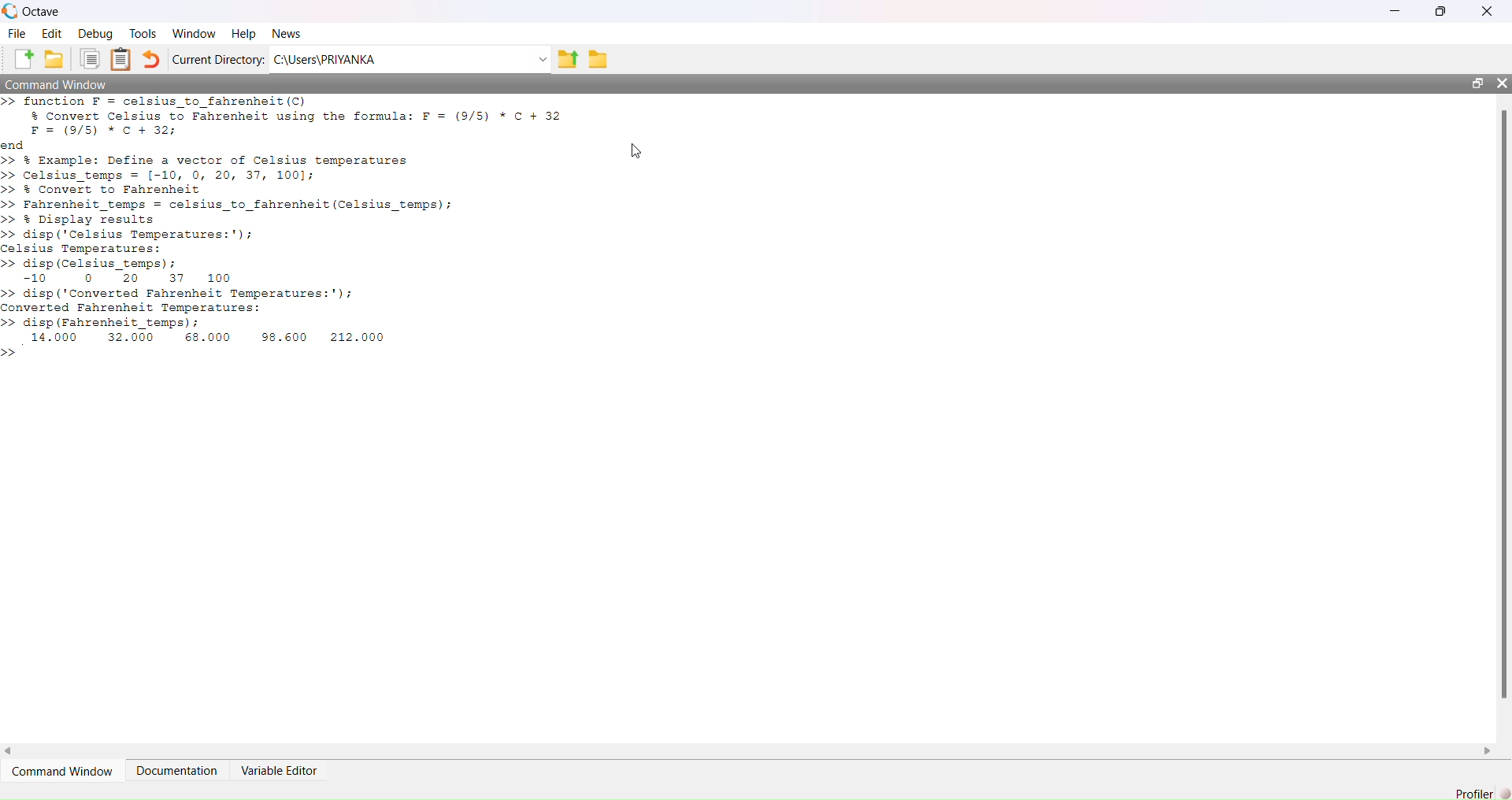  Describe the element at coordinates (143, 33) in the screenshot. I see `Tools` at that location.